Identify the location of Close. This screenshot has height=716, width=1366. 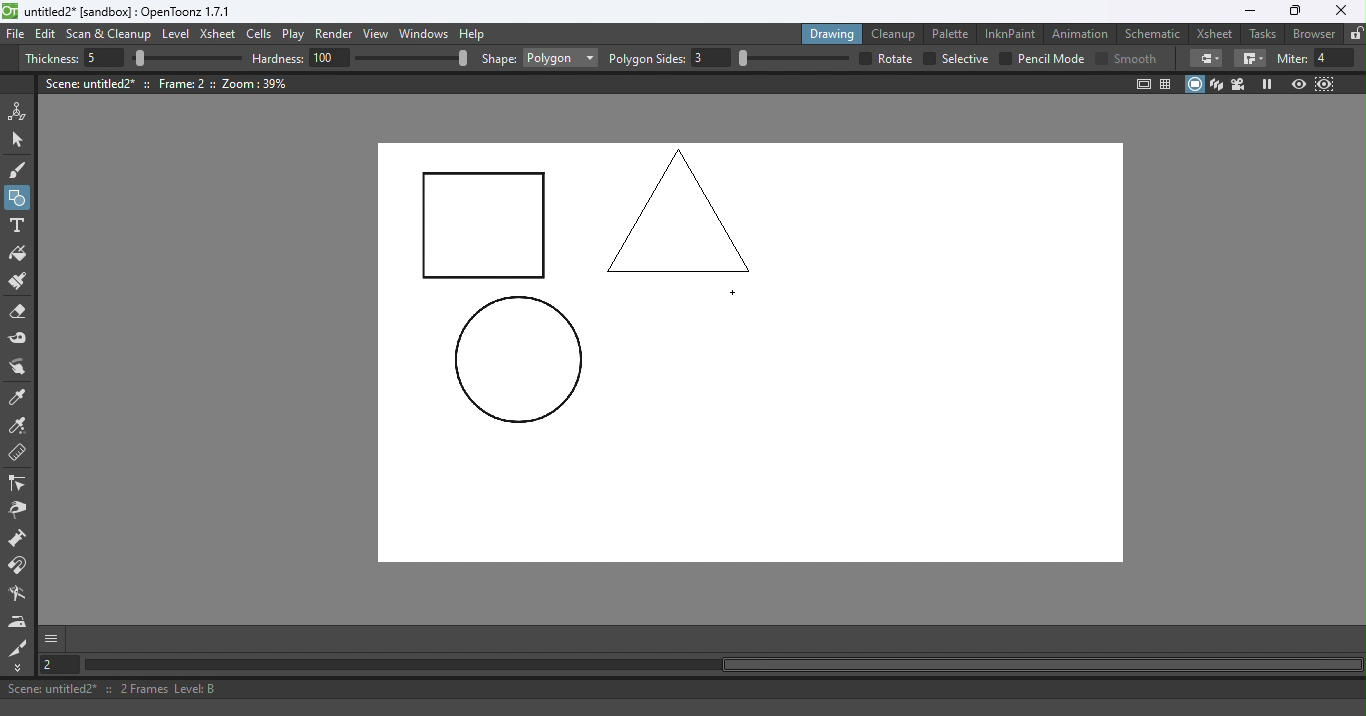
(1340, 11).